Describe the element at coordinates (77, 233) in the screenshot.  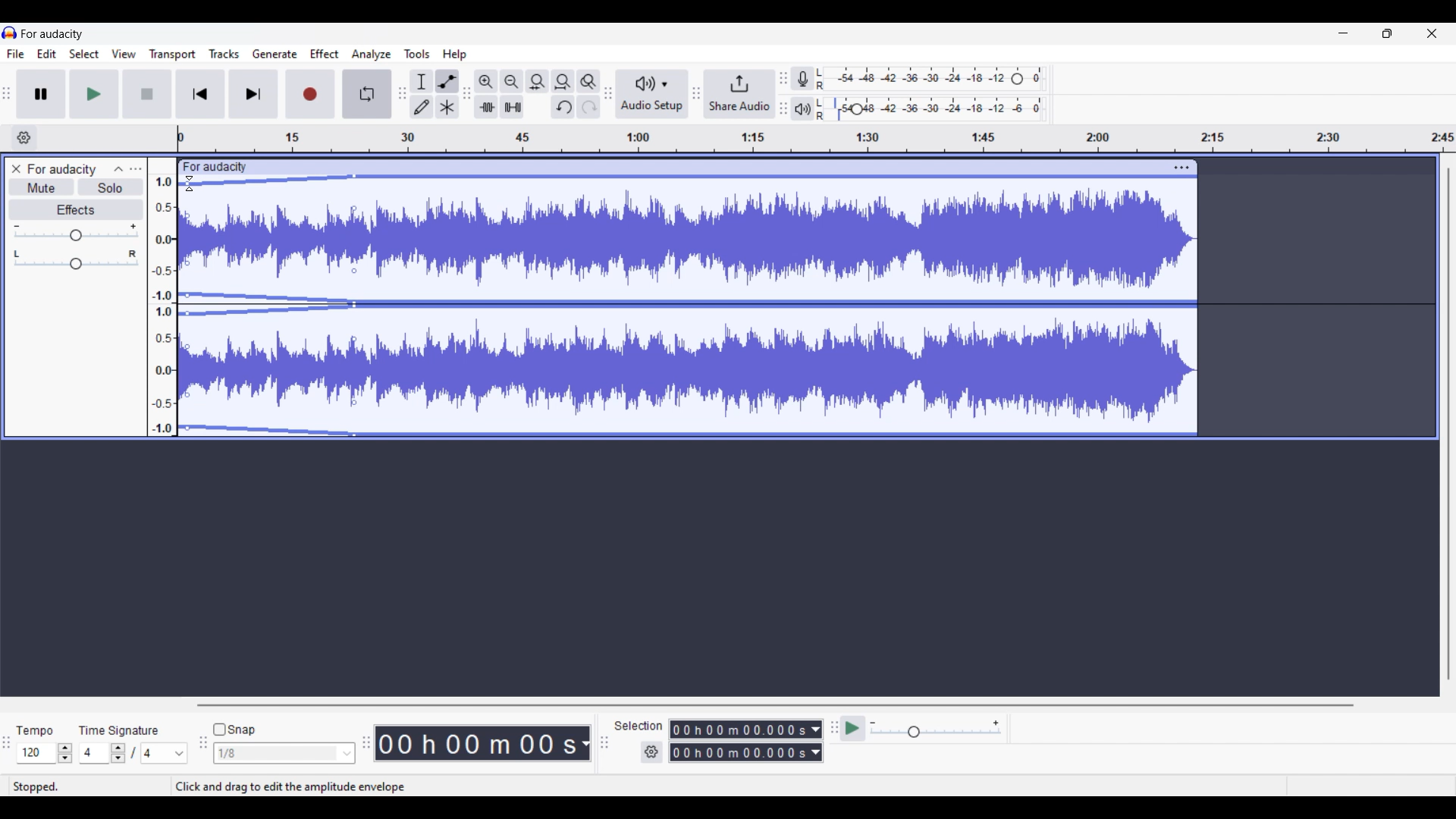
I see `Volume slider` at that location.